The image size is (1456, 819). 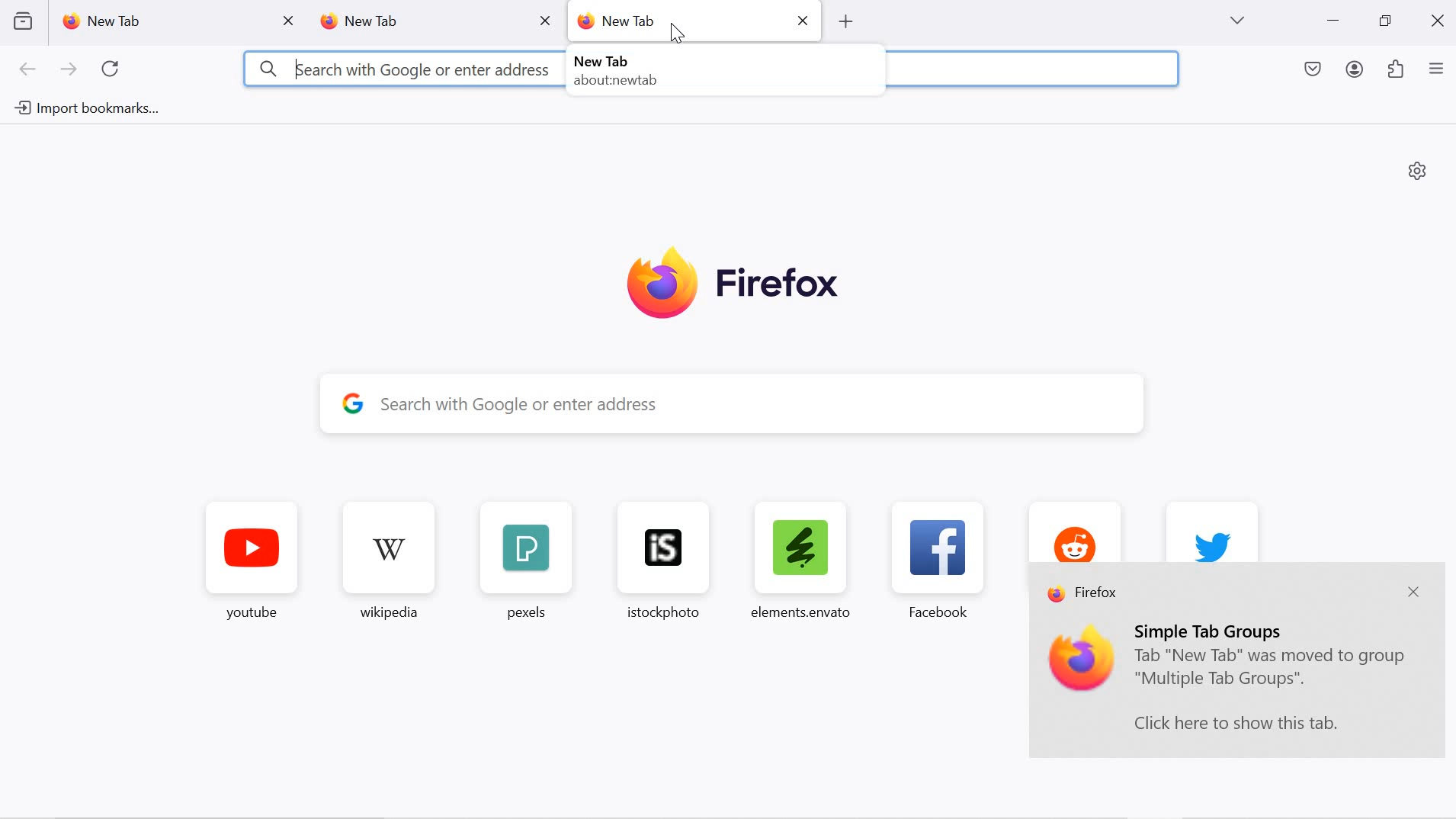 What do you see at coordinates (1418, 170) in the screenshot?
I see `personalize new tab` at bounding box center [1418, 170].